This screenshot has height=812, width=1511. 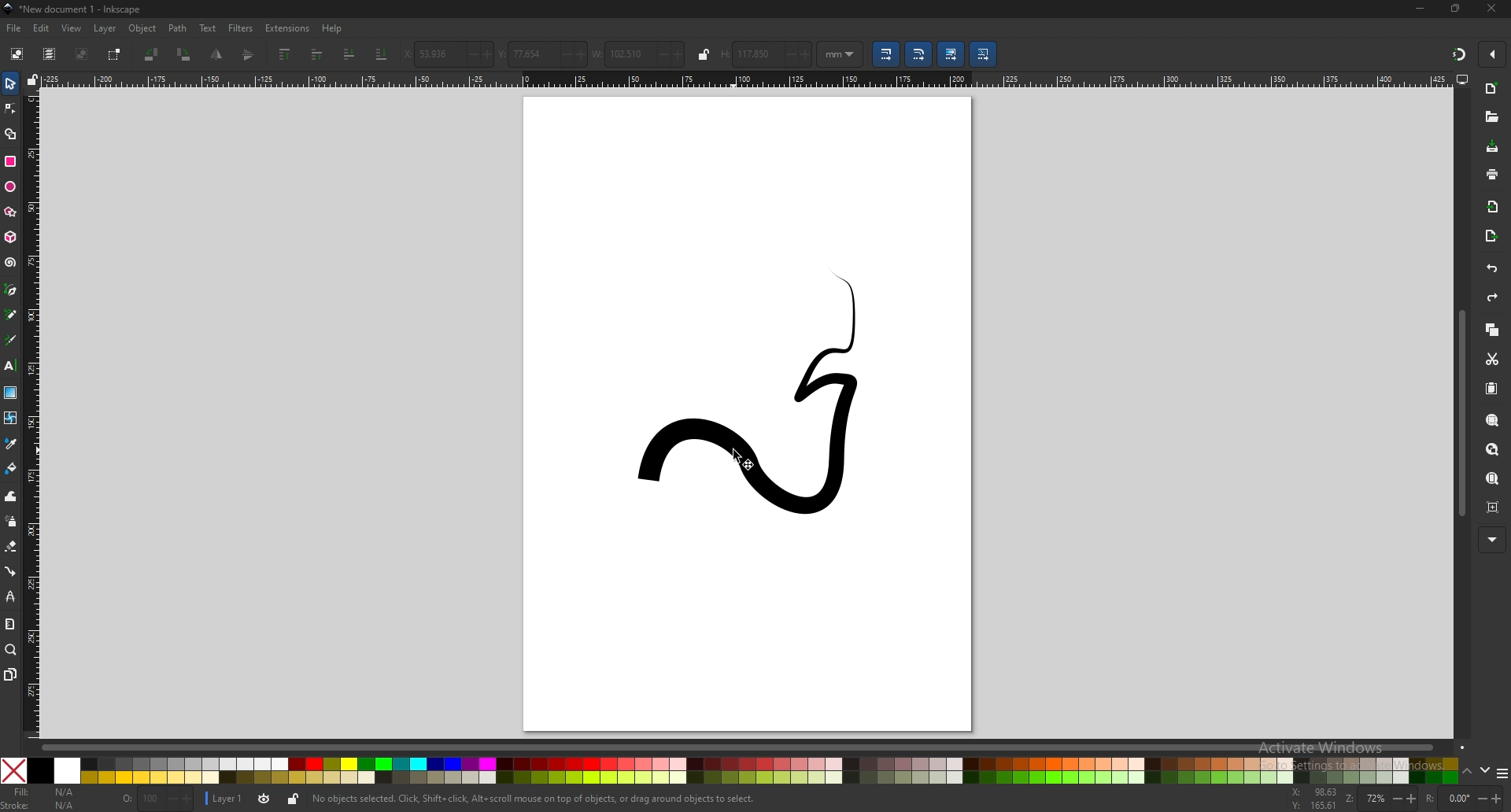 I want to click on raise selection to top, so click(x=286, y=54).